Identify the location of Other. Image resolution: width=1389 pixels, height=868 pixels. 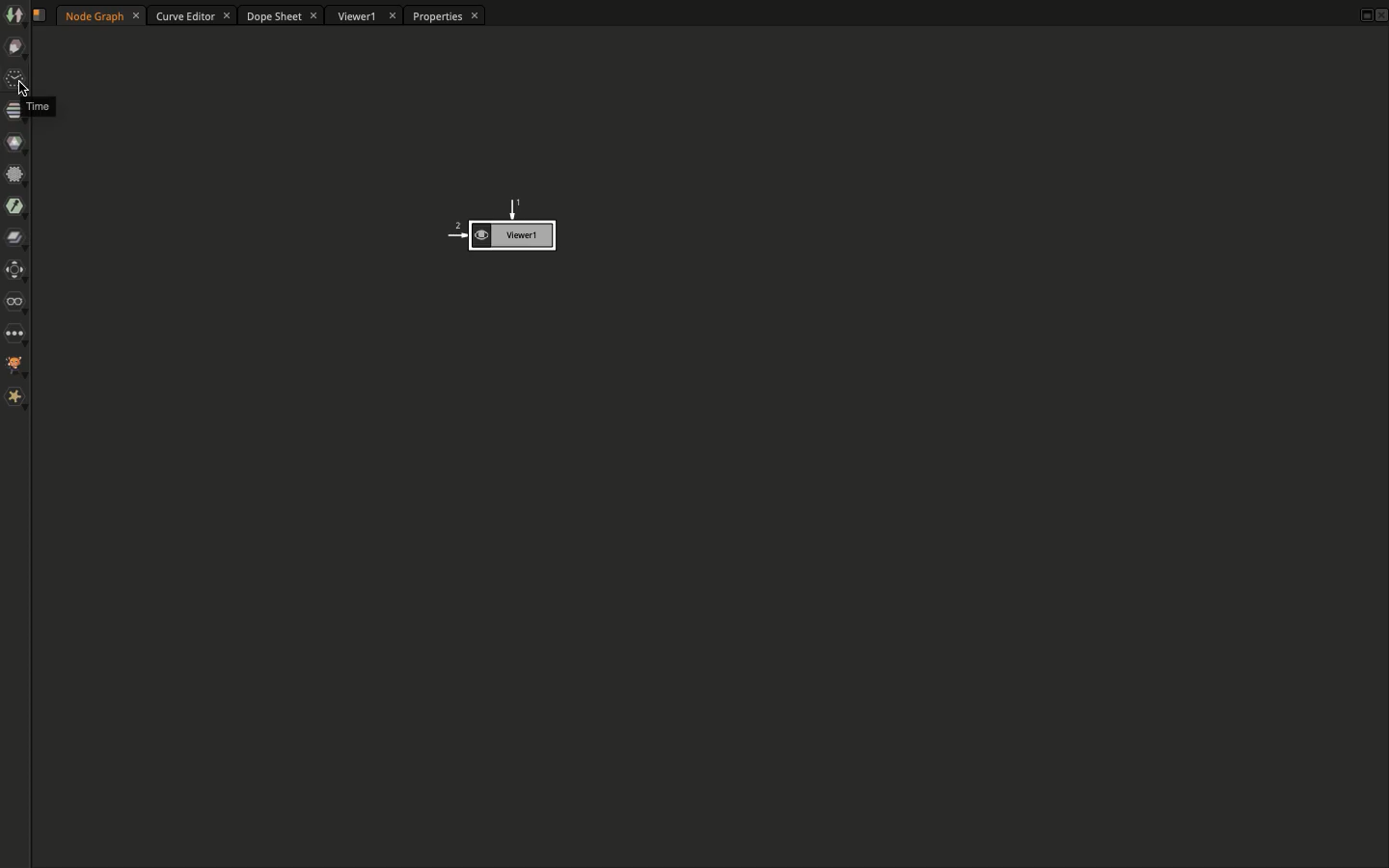
(15, 333).